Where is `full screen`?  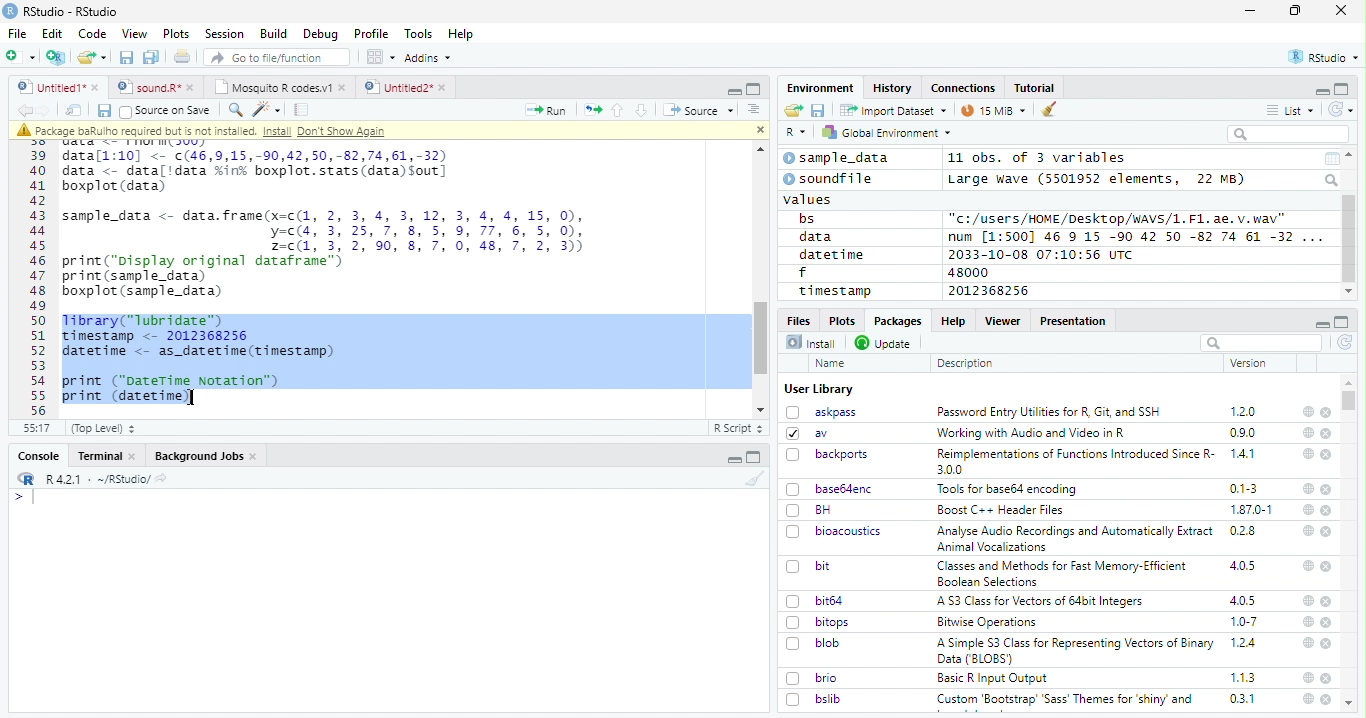 full screen is located at coordinates (1342, 89).